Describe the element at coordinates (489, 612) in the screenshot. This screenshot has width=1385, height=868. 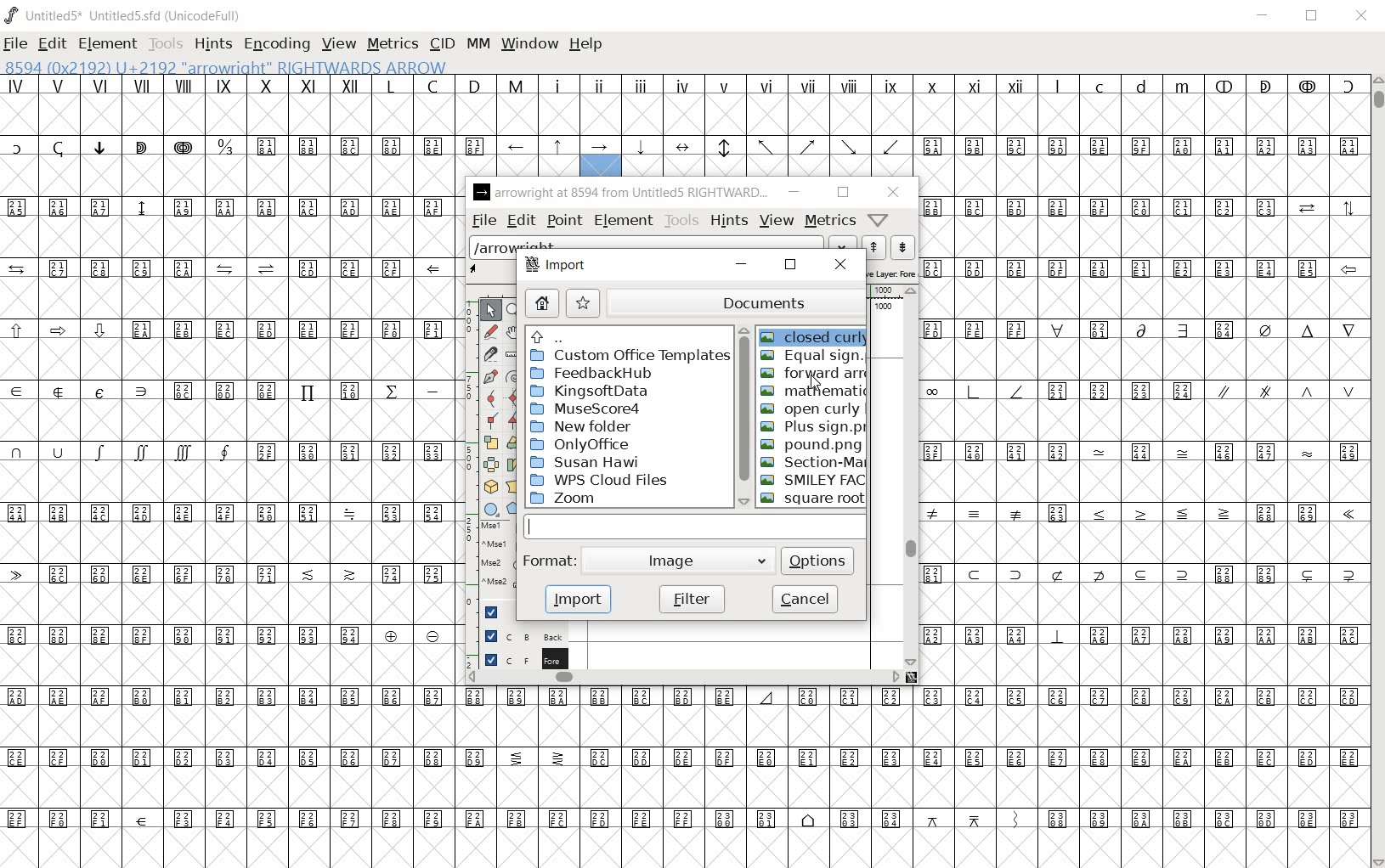
I see `Guide` at that location.